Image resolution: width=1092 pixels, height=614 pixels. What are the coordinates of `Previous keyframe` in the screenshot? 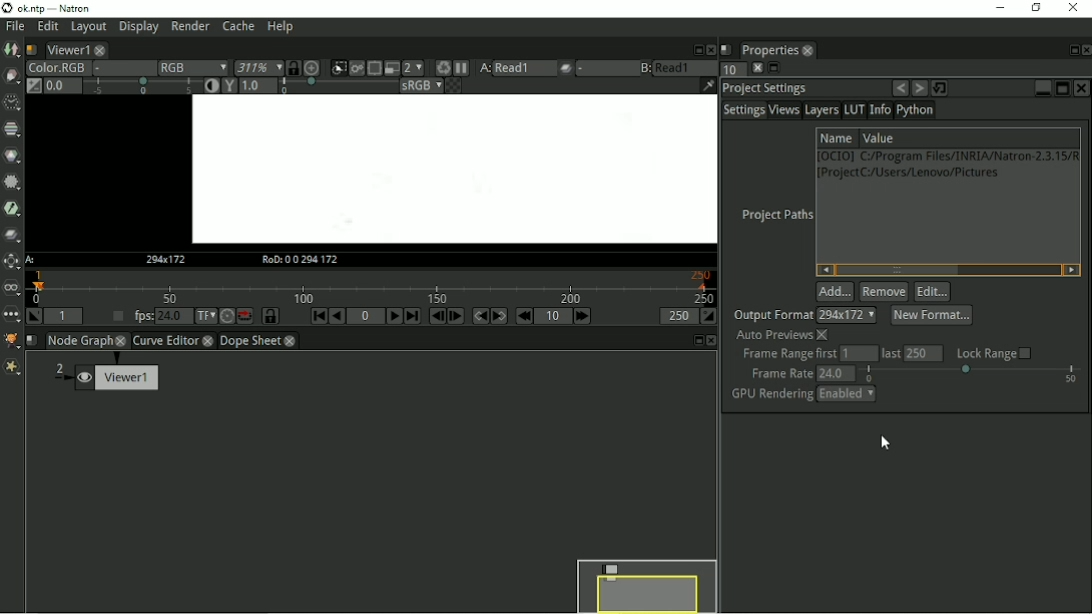 It's located at (481, 317).